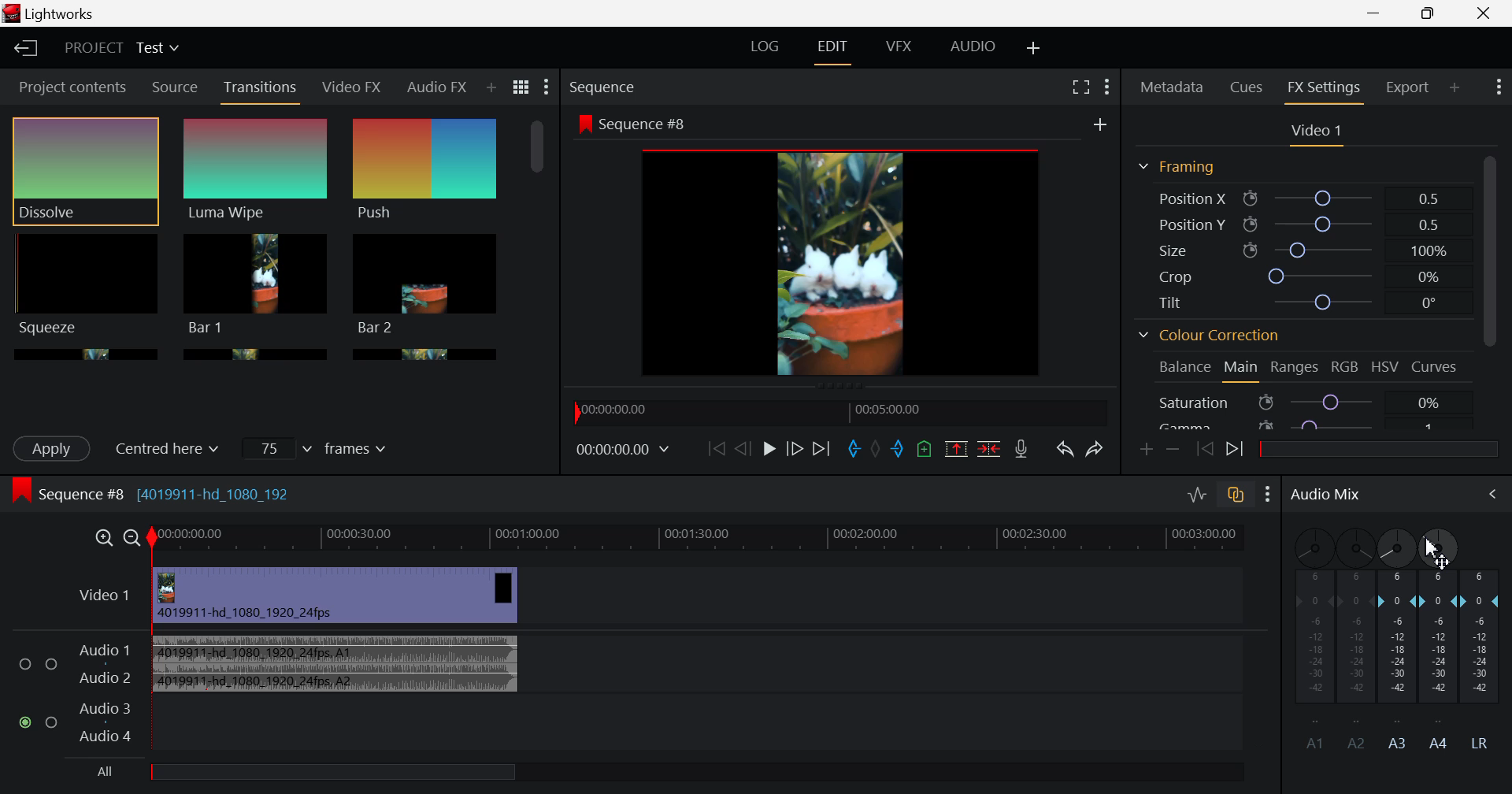 The image size is (1512, 794). What do you see at coordinates (350, 89) in the screenshot?
I see `Video FX` at bounding box center [350, 89].